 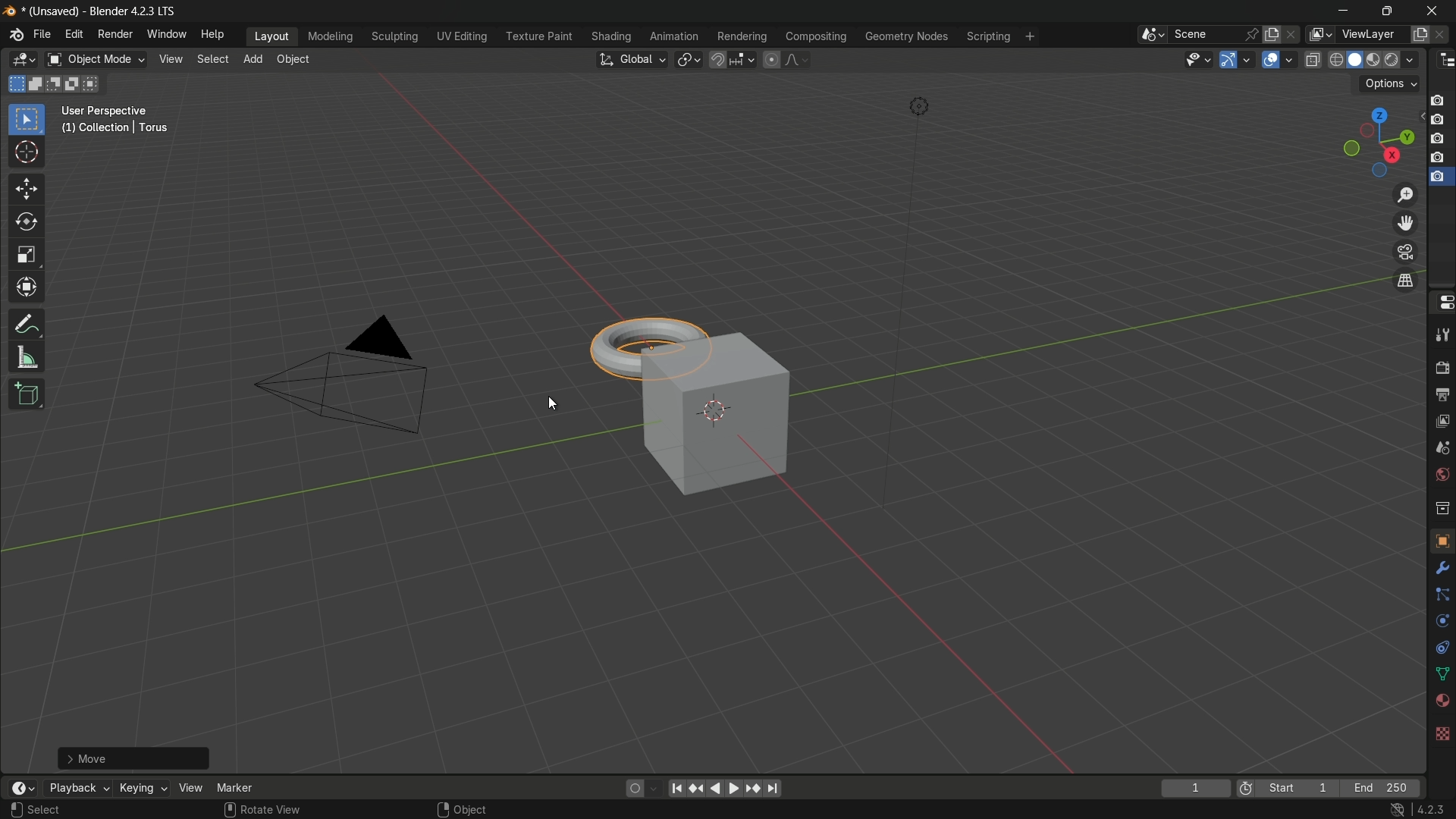 What do you see at coordinates (57, 84) in the screenshot?
I see `subtract existing selection` at bounding box center [57, 84].